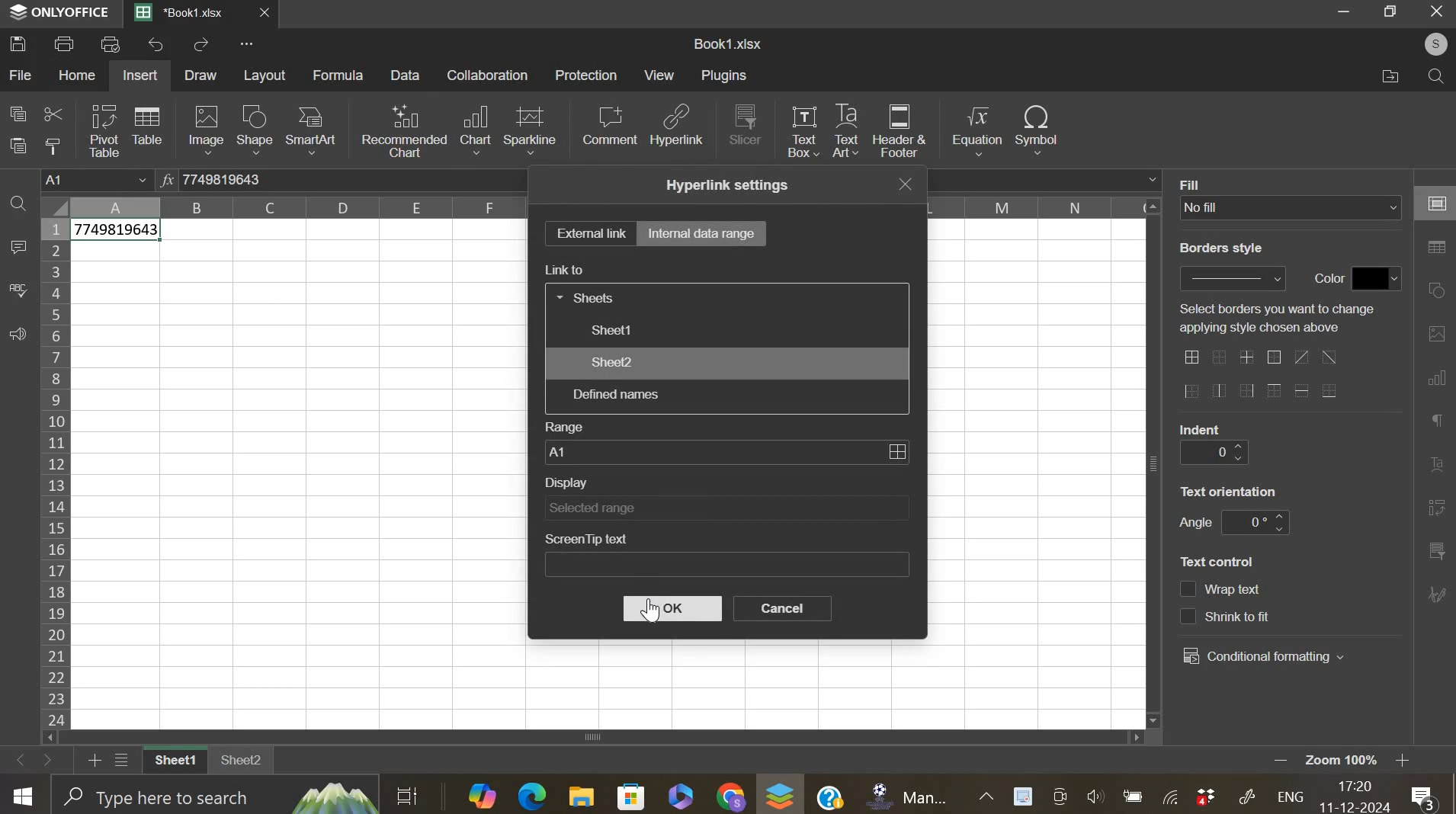 Image resolution: width=1456 pixels, height=814 pixels. What do you see at coordinates (405, 130) in the screenshot?
I see `recommend chart` at bounding box center [405, 130].